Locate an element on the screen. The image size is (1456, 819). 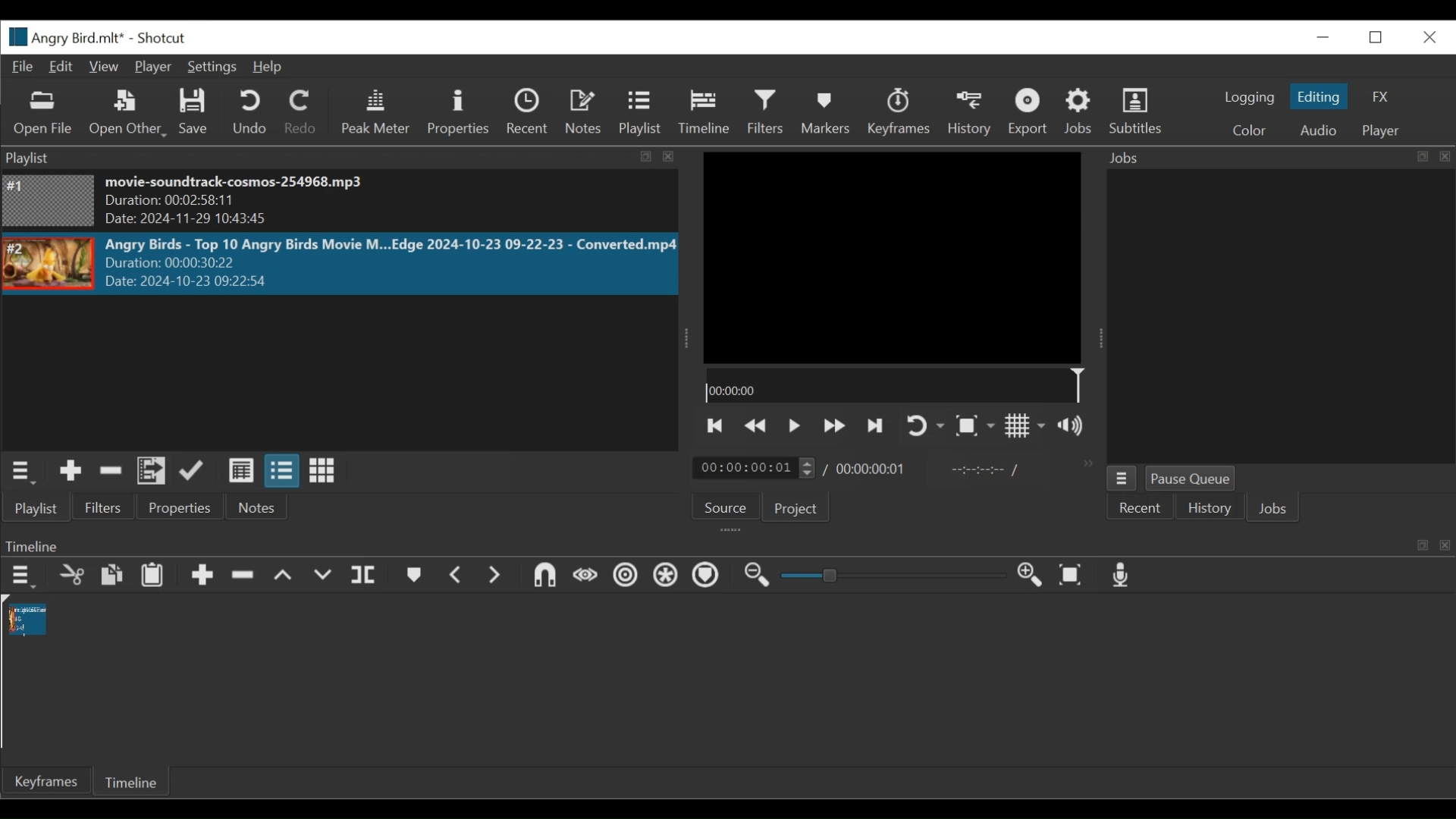
Open File is located at coordinates (40, 114).